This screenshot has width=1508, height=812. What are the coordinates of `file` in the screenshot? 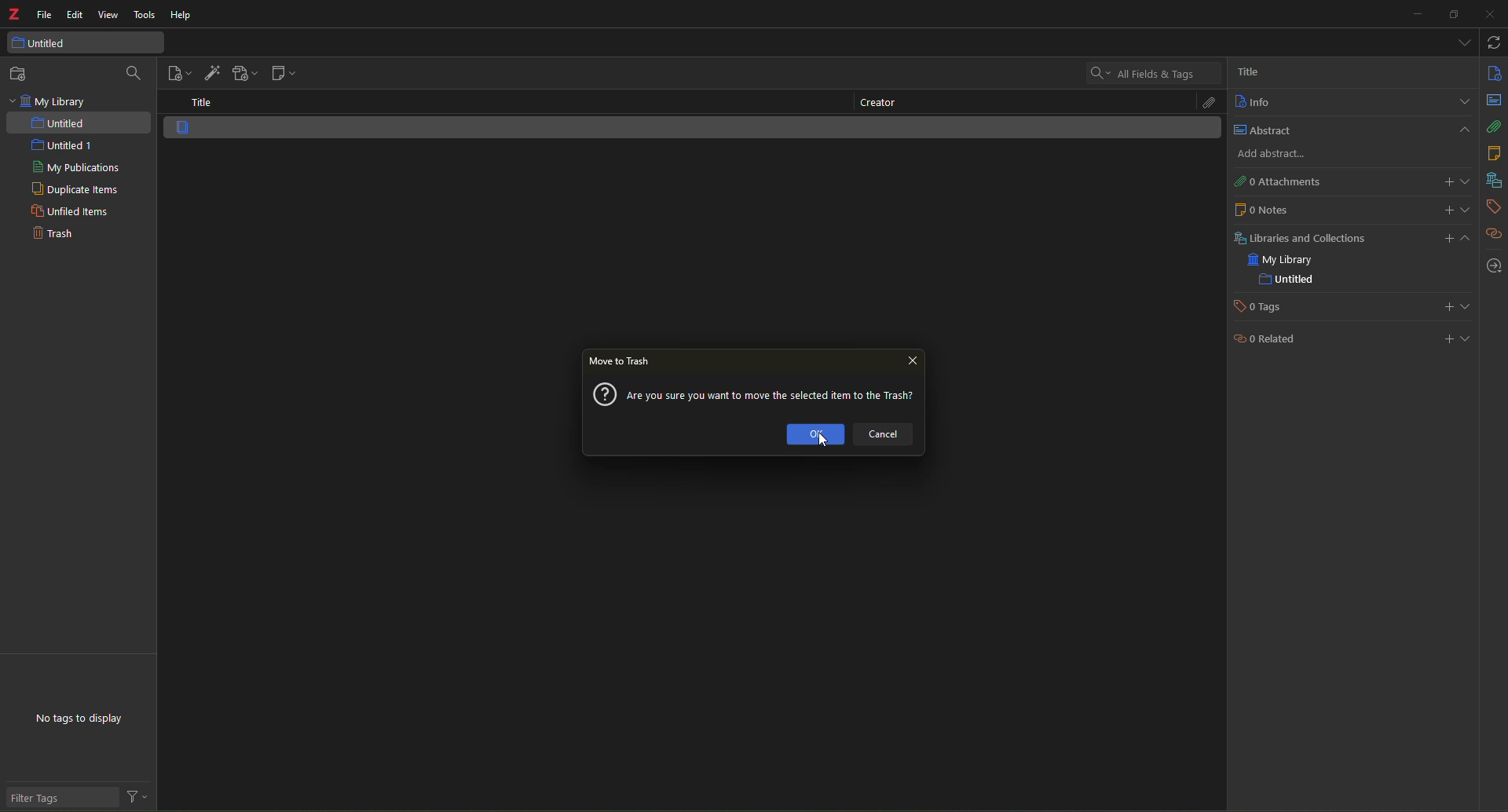 It's located at (42, 16).